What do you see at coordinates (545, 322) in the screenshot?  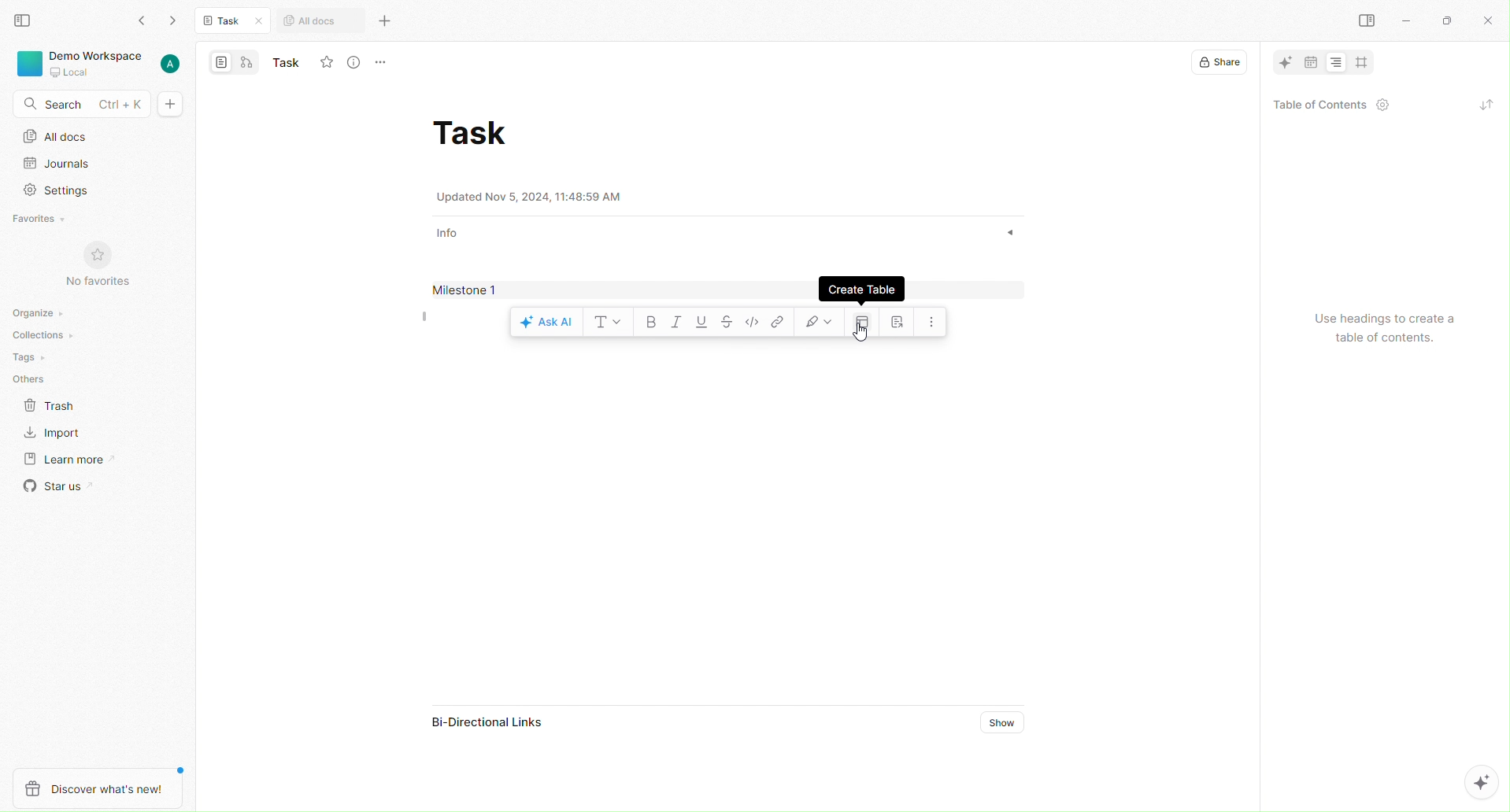 I see `Ask AI` at bounding box center [545, 322].